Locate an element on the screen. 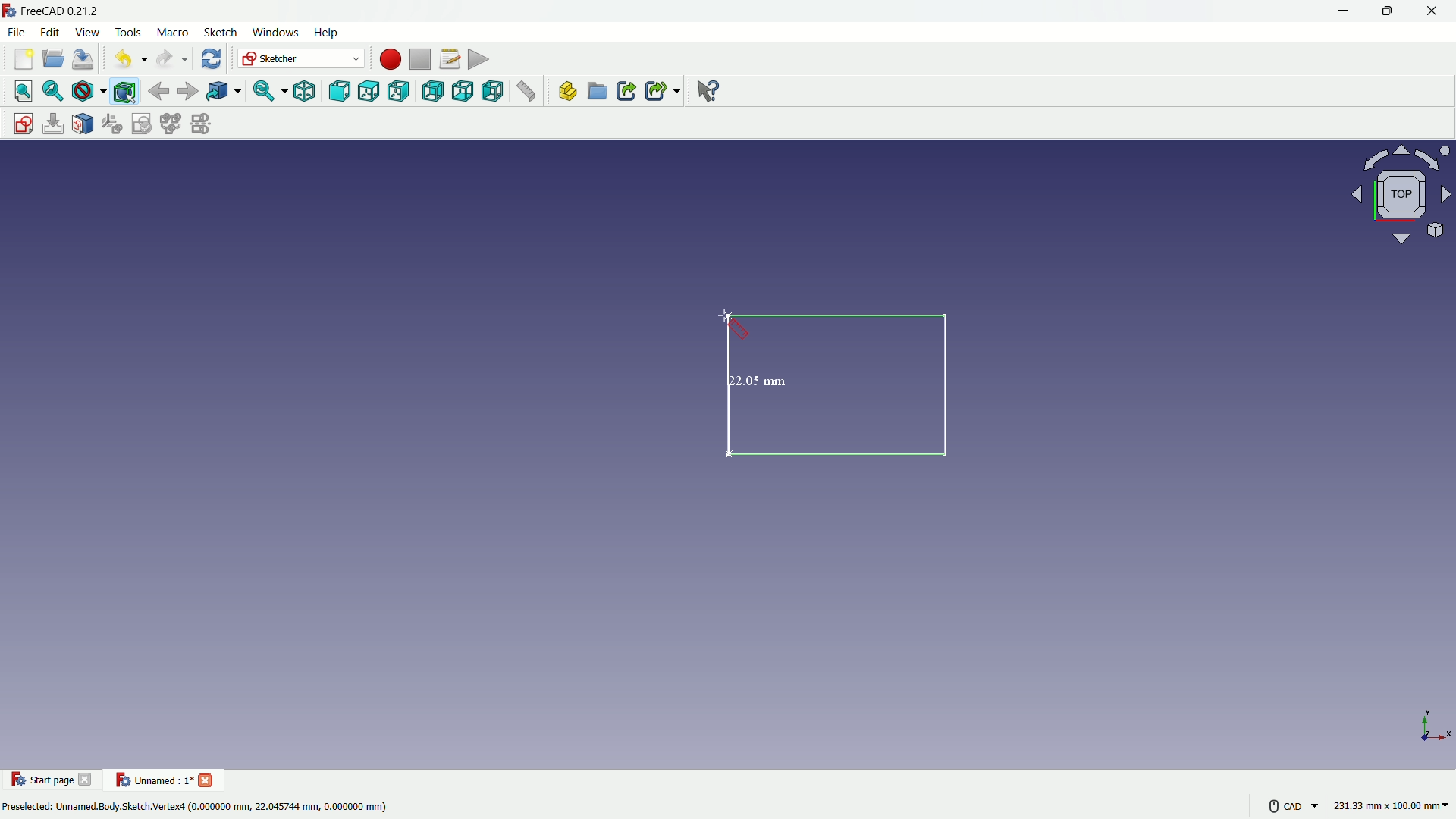 Image resolution: width=1456 pixels, height=819 pixels. view menu is located at coordinates (86, 33).